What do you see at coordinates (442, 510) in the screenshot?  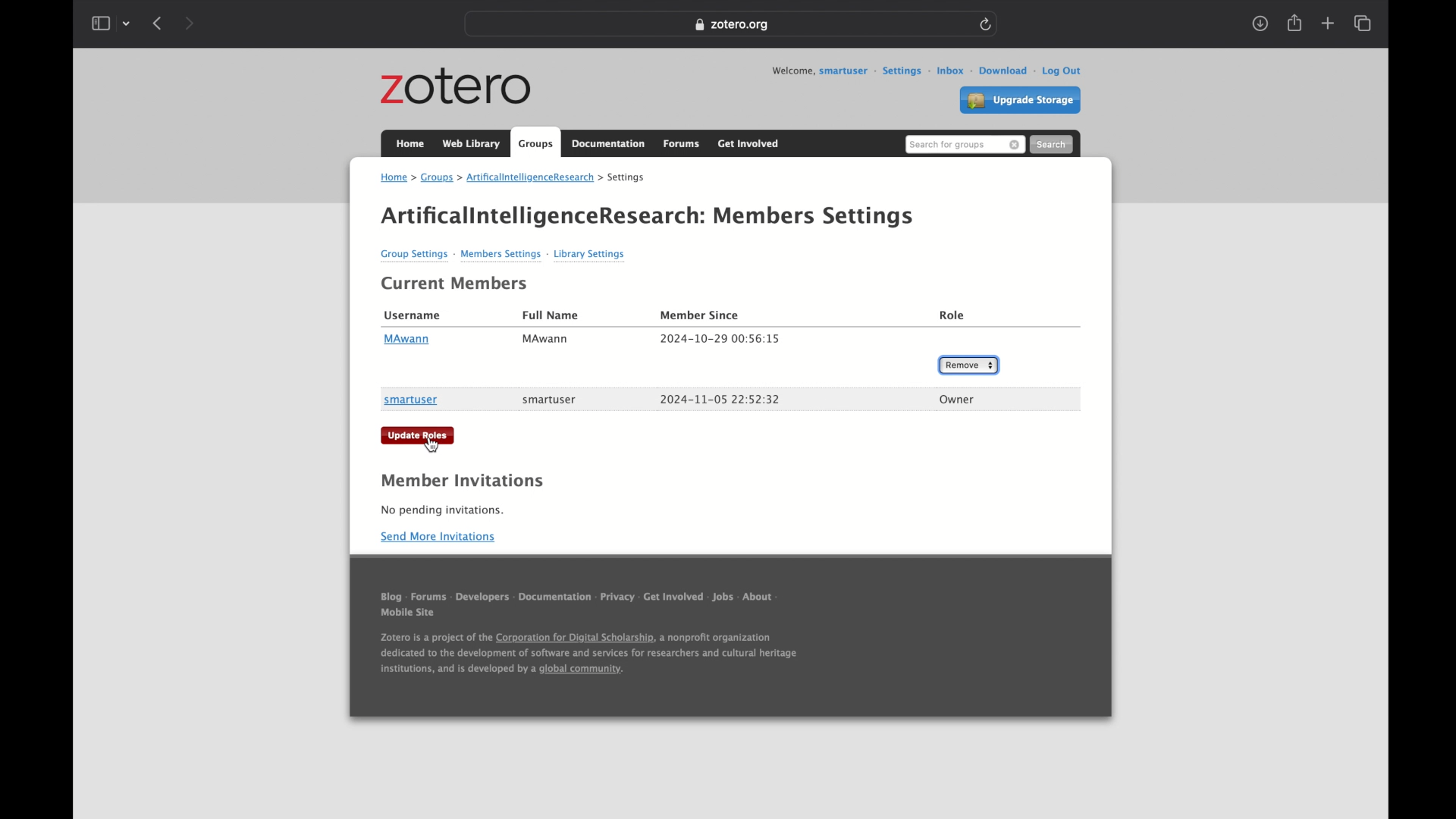 I see `no pending invitations` at bounding box center [442, 510].